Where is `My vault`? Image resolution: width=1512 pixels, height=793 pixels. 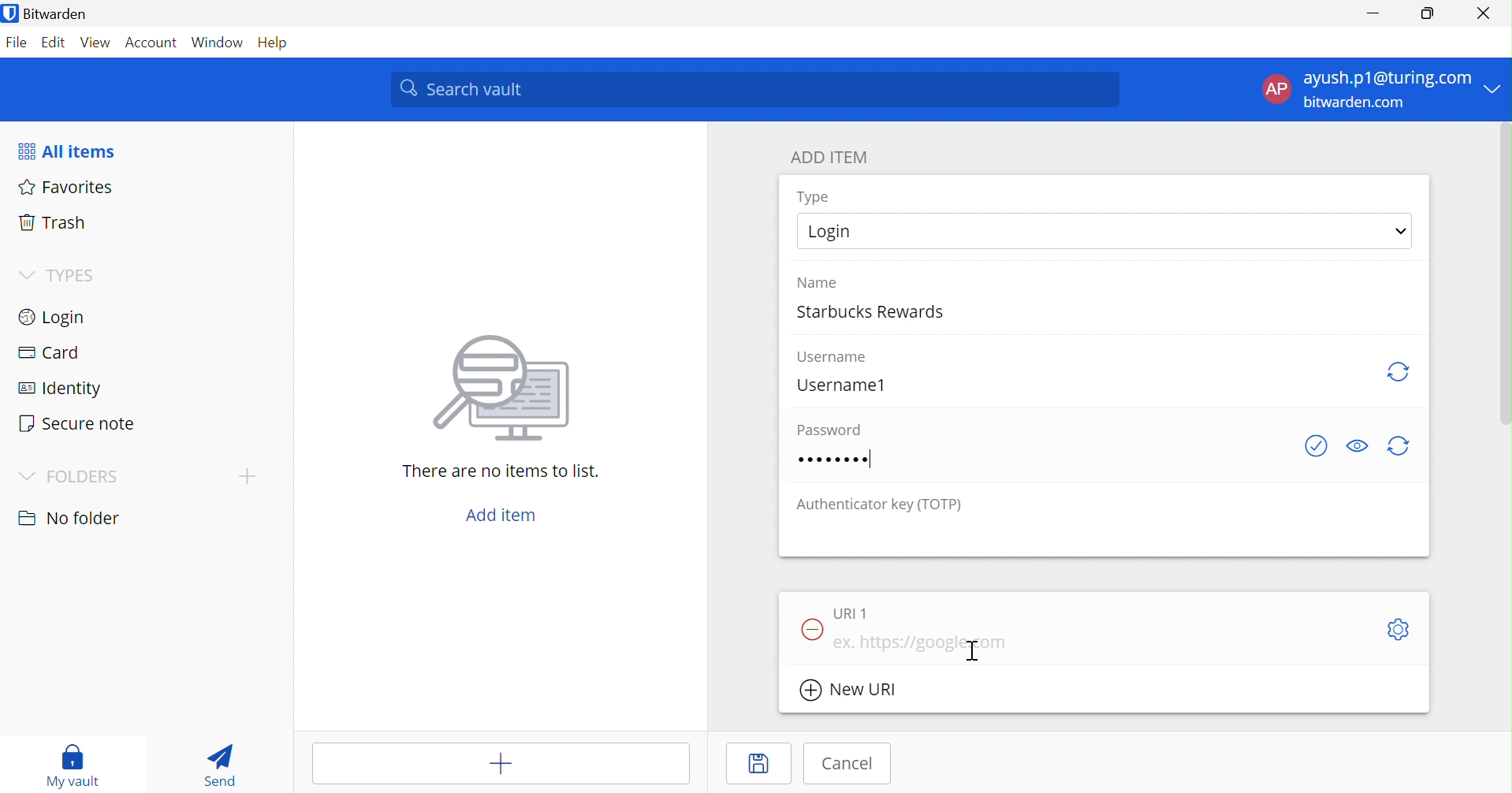 My vault is located at coordinates (77, 766).